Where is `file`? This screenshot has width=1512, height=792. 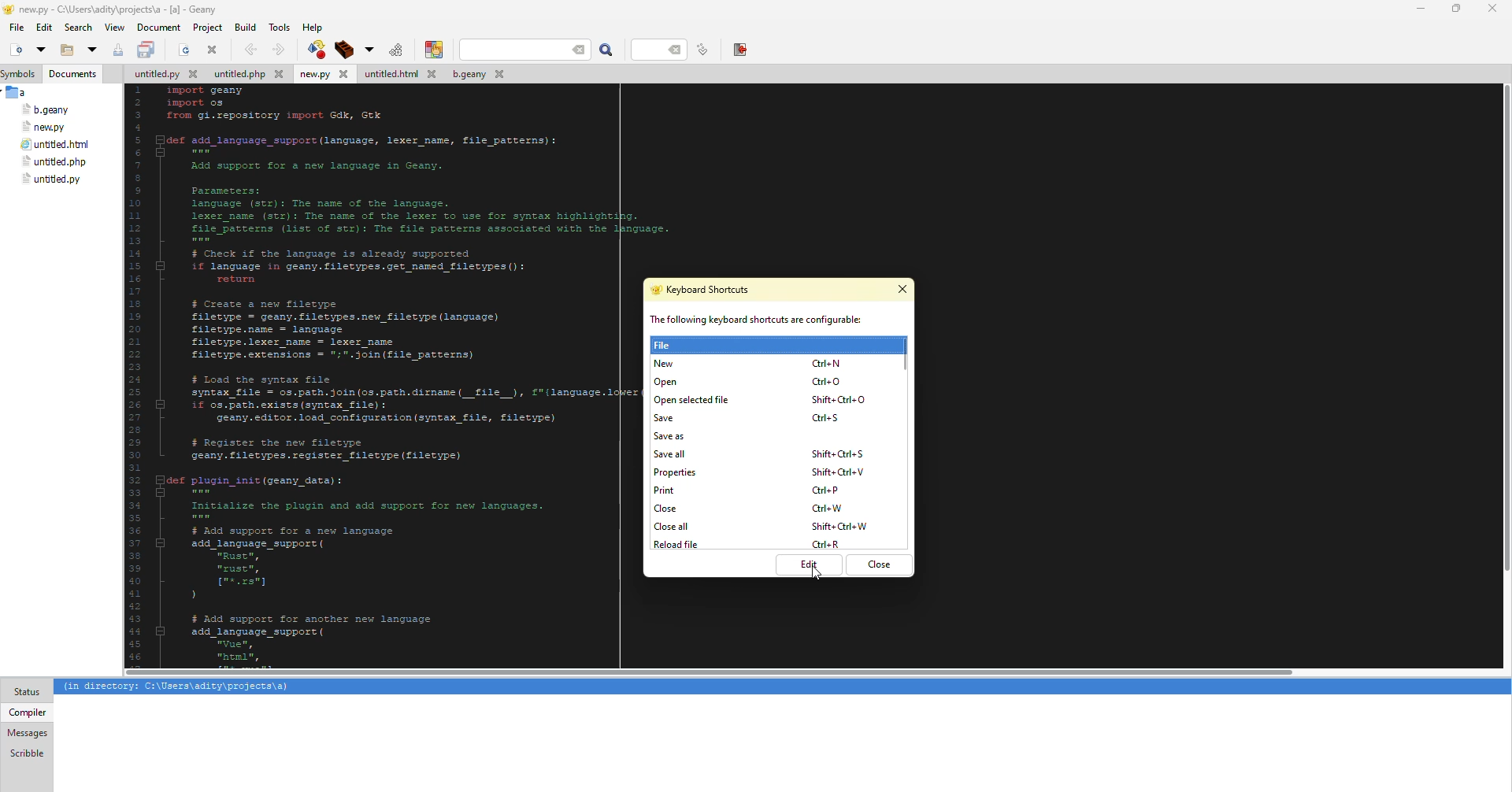
file is located at coordinates (164, 76).